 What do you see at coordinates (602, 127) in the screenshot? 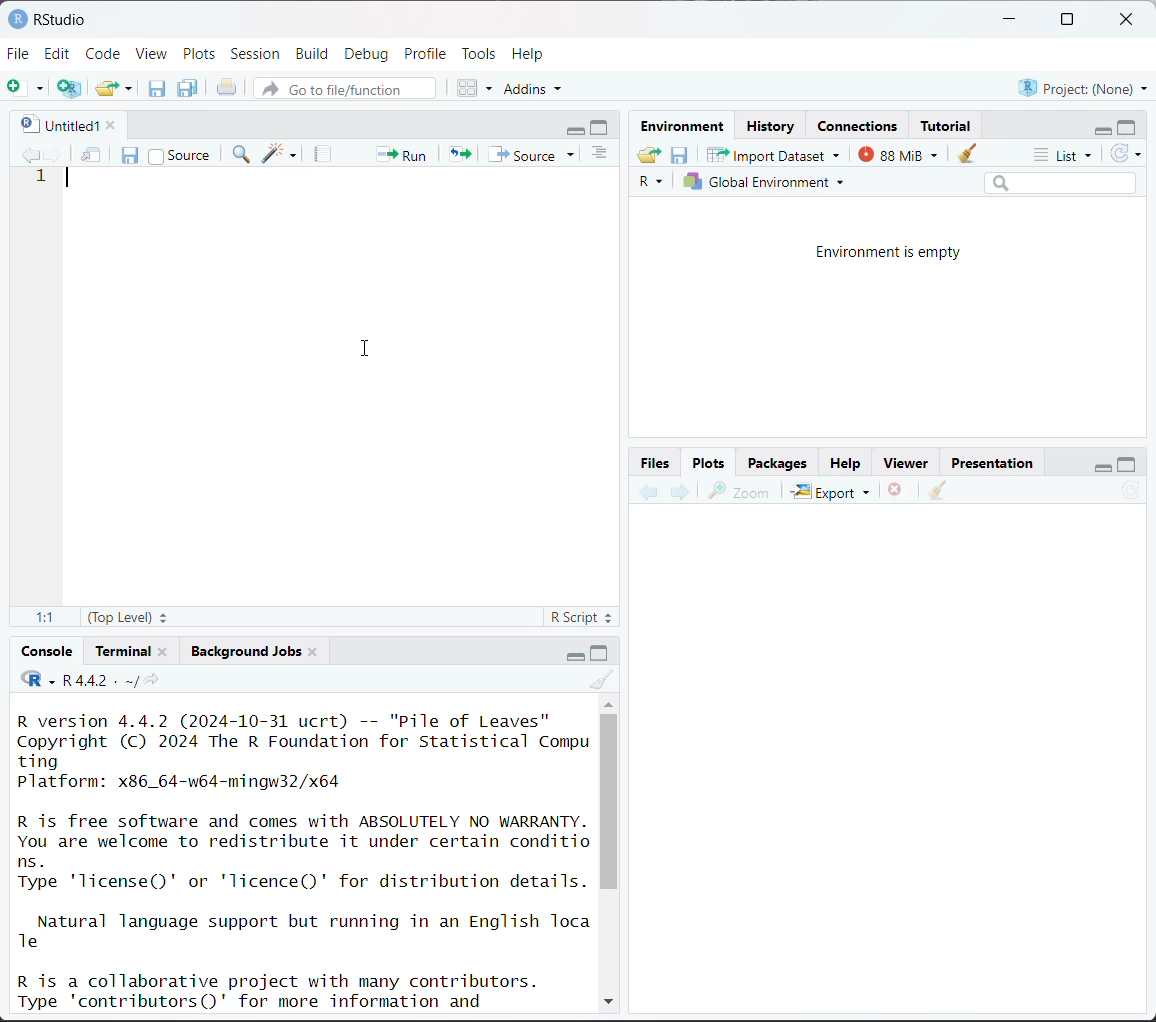
I see `maximize` at bounding box center [602, 127].